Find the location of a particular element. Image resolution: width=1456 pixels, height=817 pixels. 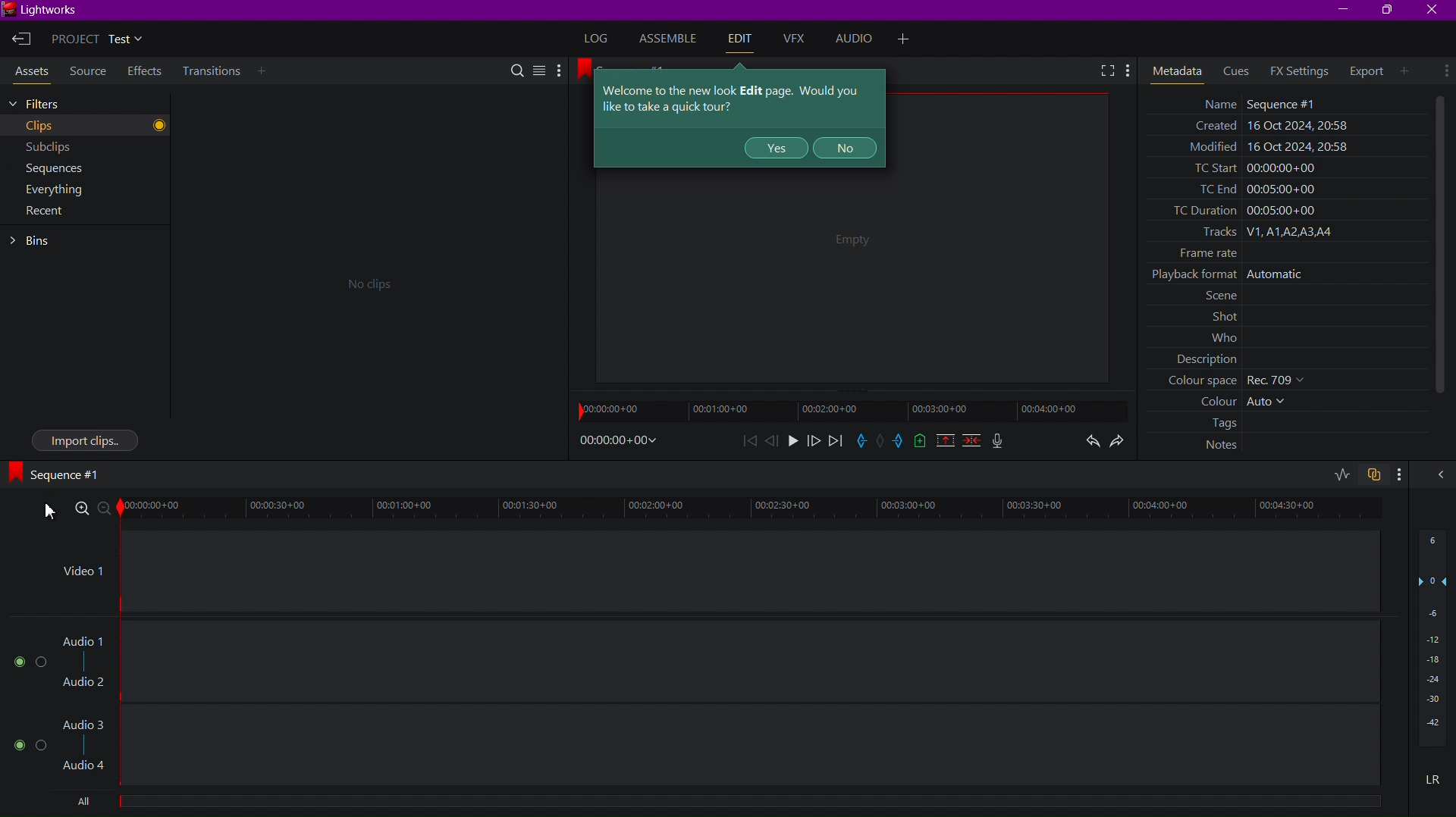

Import Clips is located at coordinates (84, 439).